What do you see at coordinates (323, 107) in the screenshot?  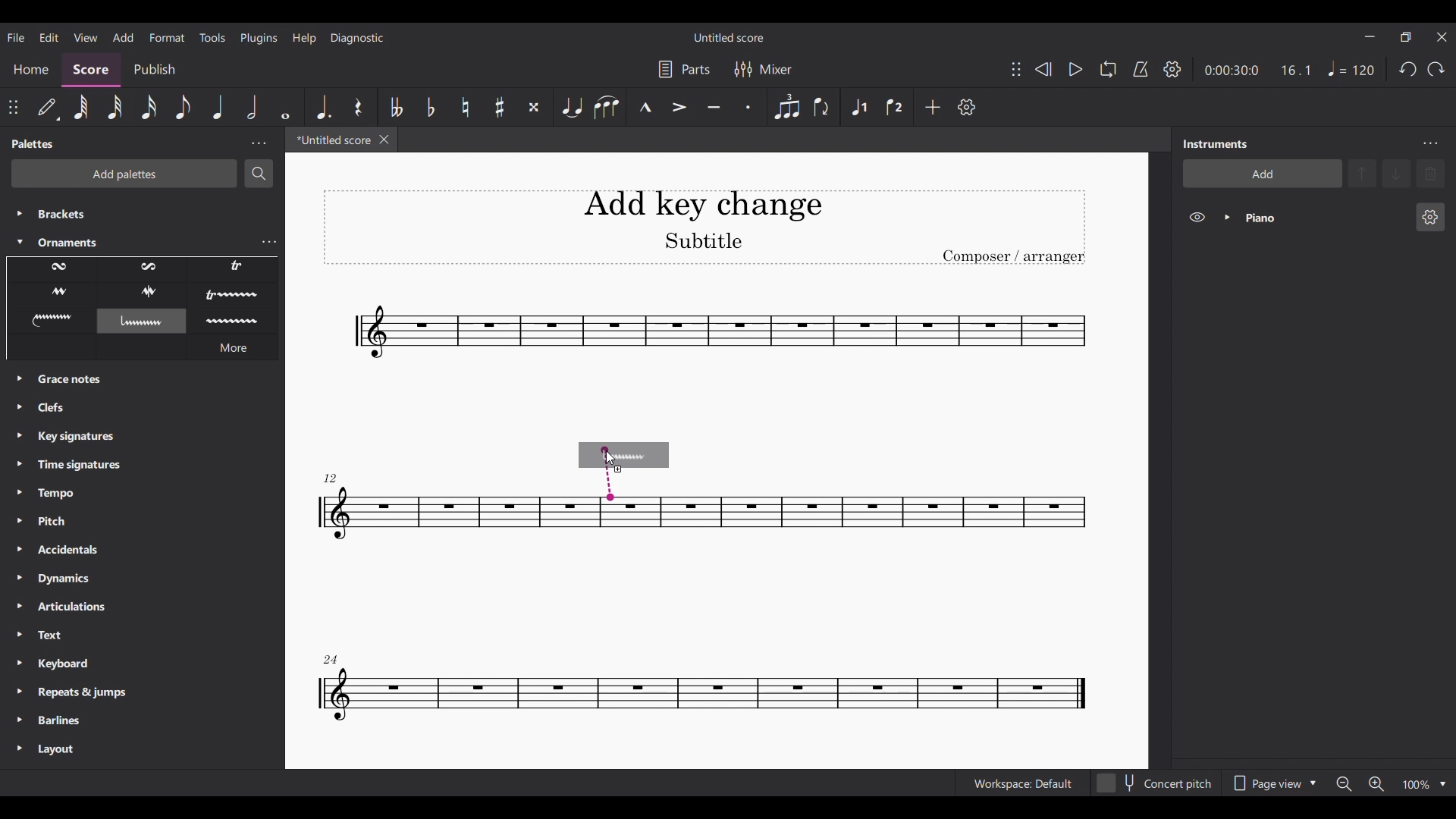 I see `Augmentation dot` at bounding box center [323, 107].